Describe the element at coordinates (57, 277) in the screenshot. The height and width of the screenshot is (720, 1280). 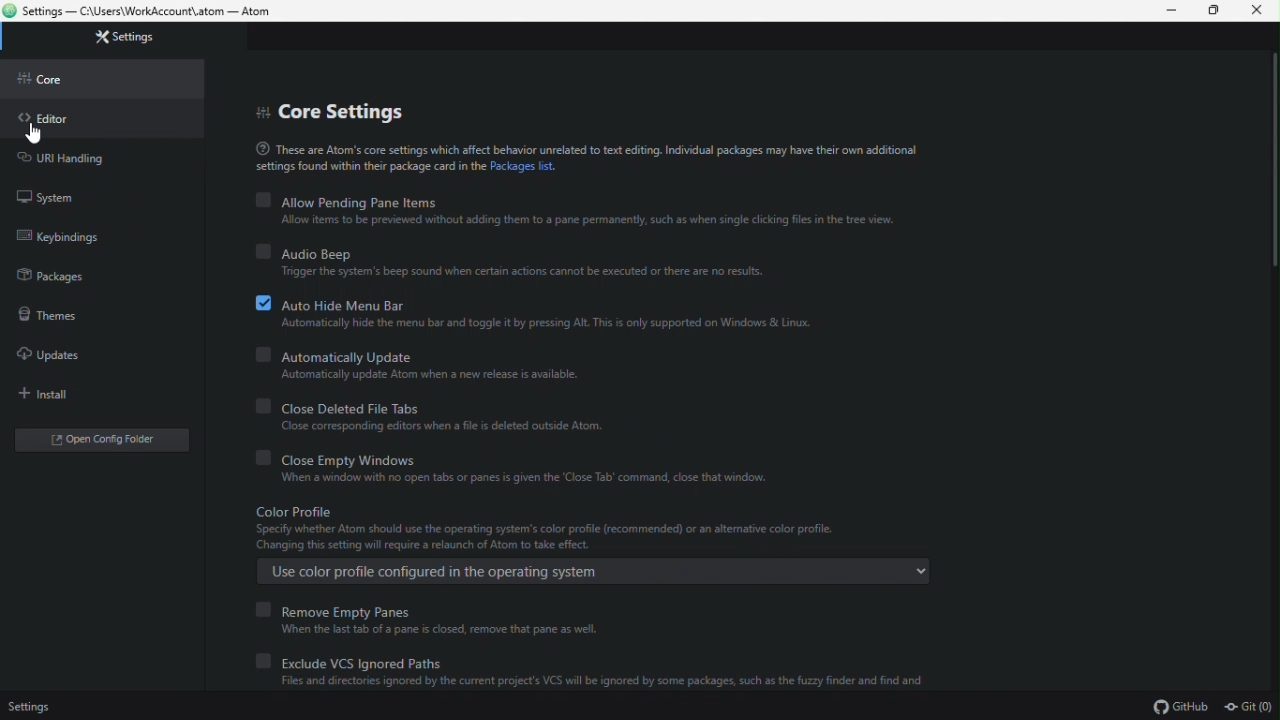
I see `Packages` at that location.